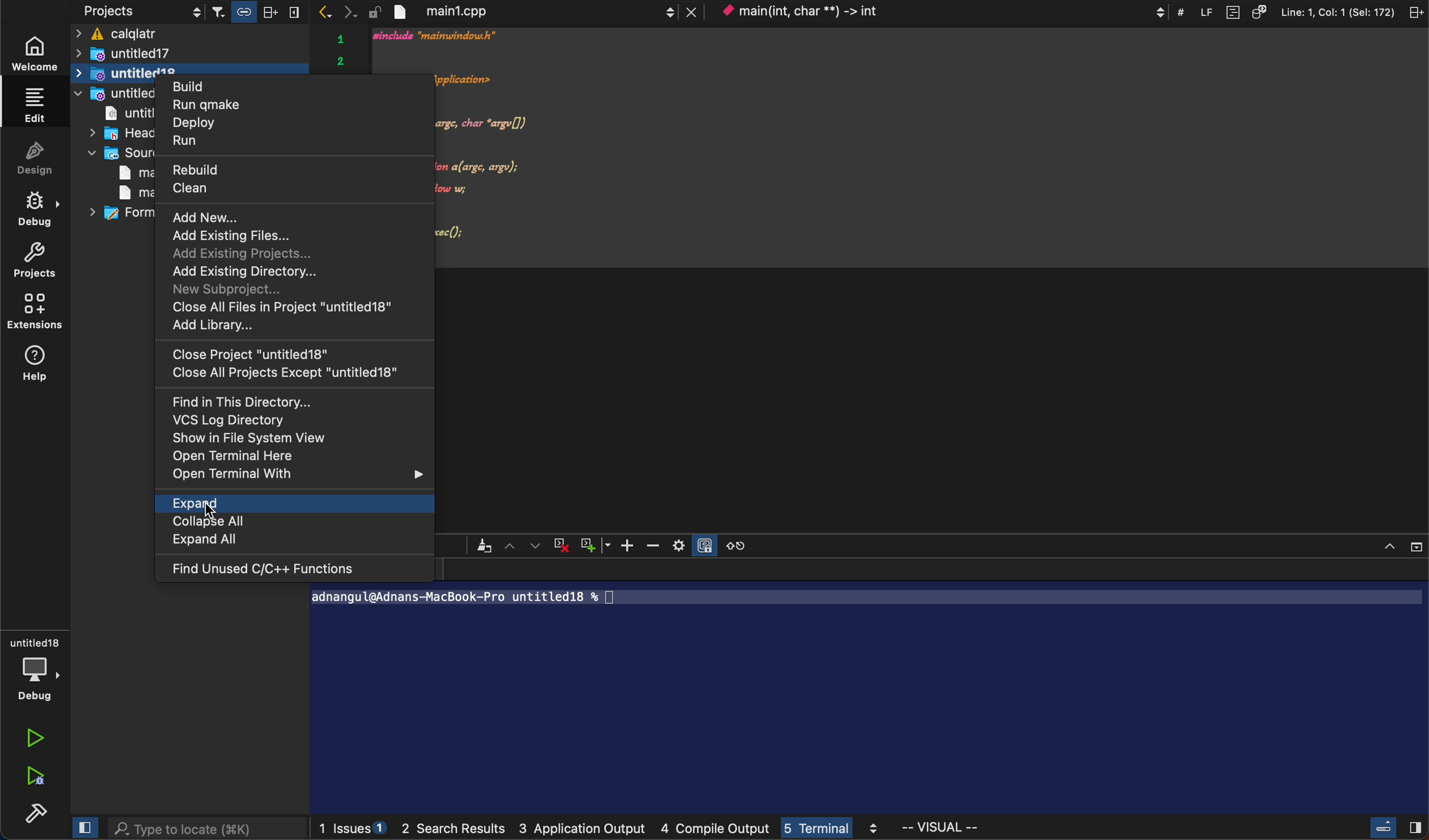 This screenshot has height=840, width=1429. Describe the element at coordinates (942, 12) in the screenshot. I see `context` at that location.